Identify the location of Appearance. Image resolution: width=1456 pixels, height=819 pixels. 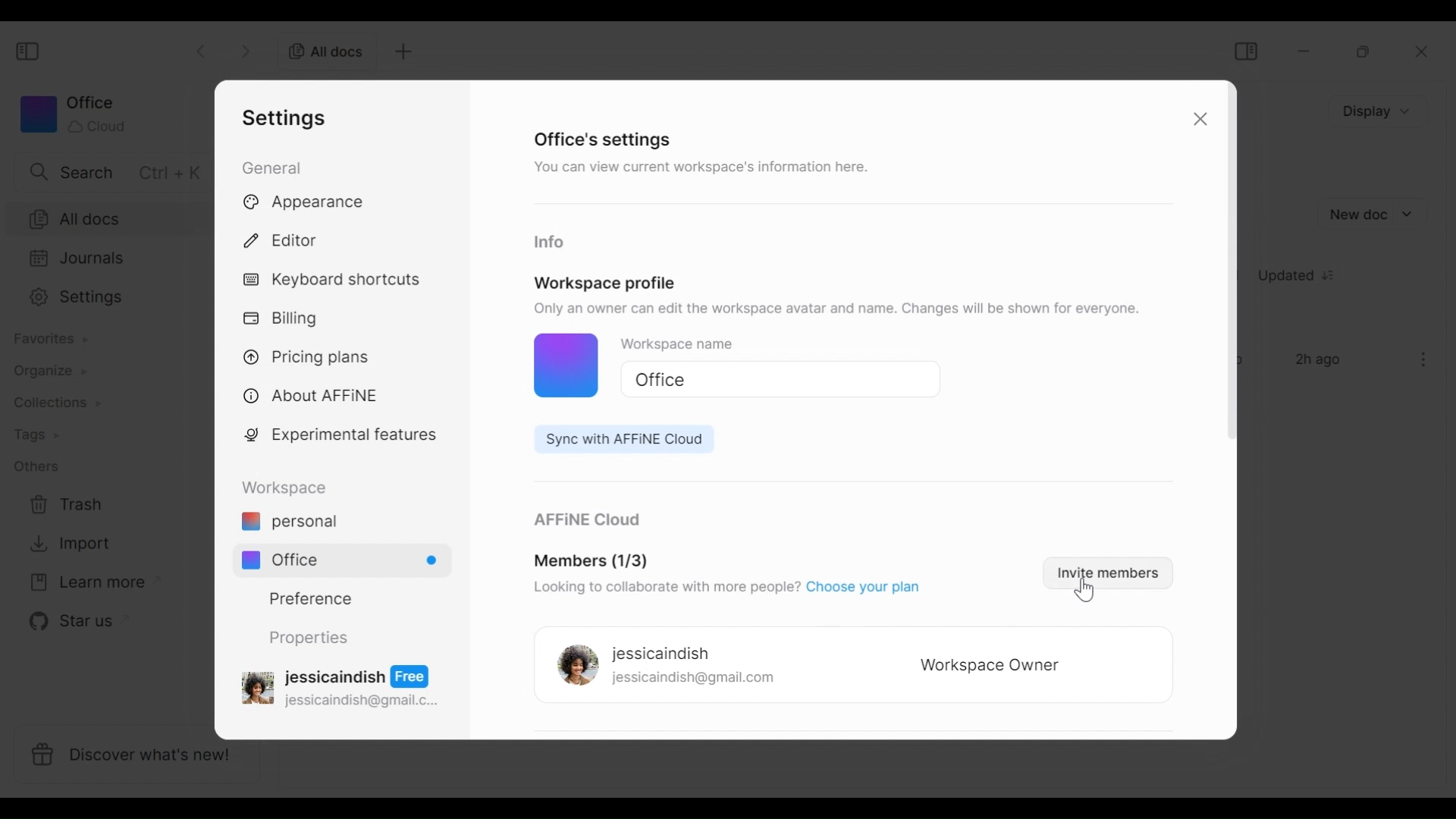
(309, 203).